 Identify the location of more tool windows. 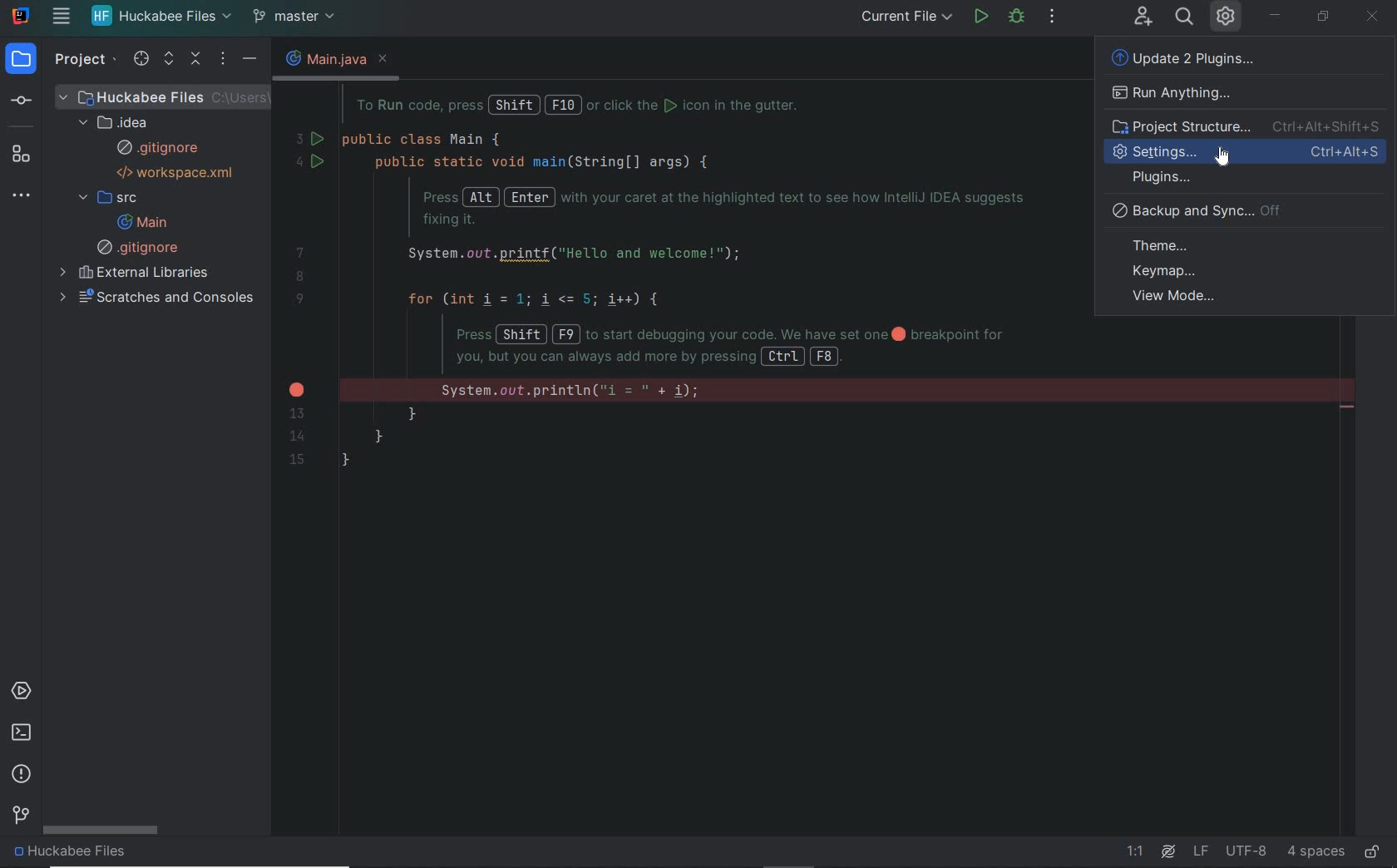
(27, 196).